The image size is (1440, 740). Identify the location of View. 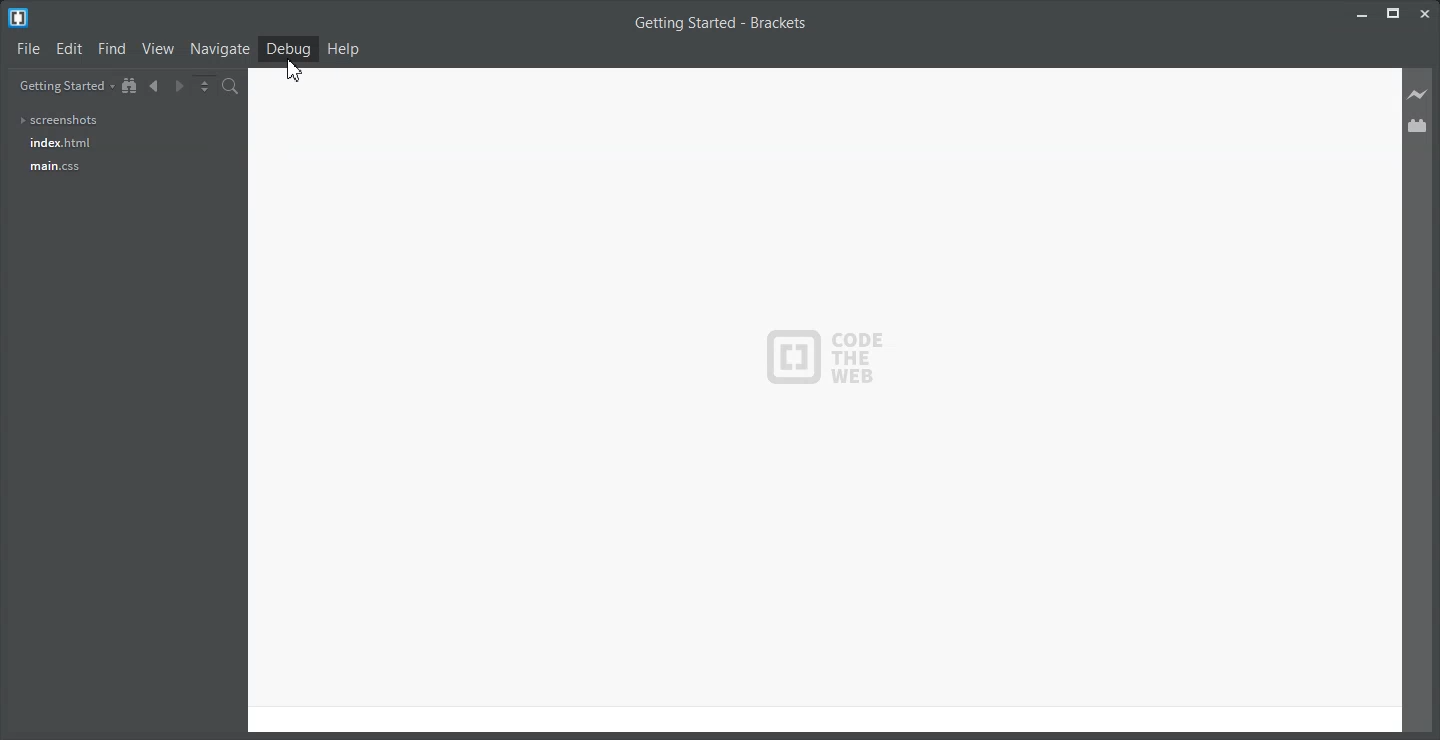
(158, 49).